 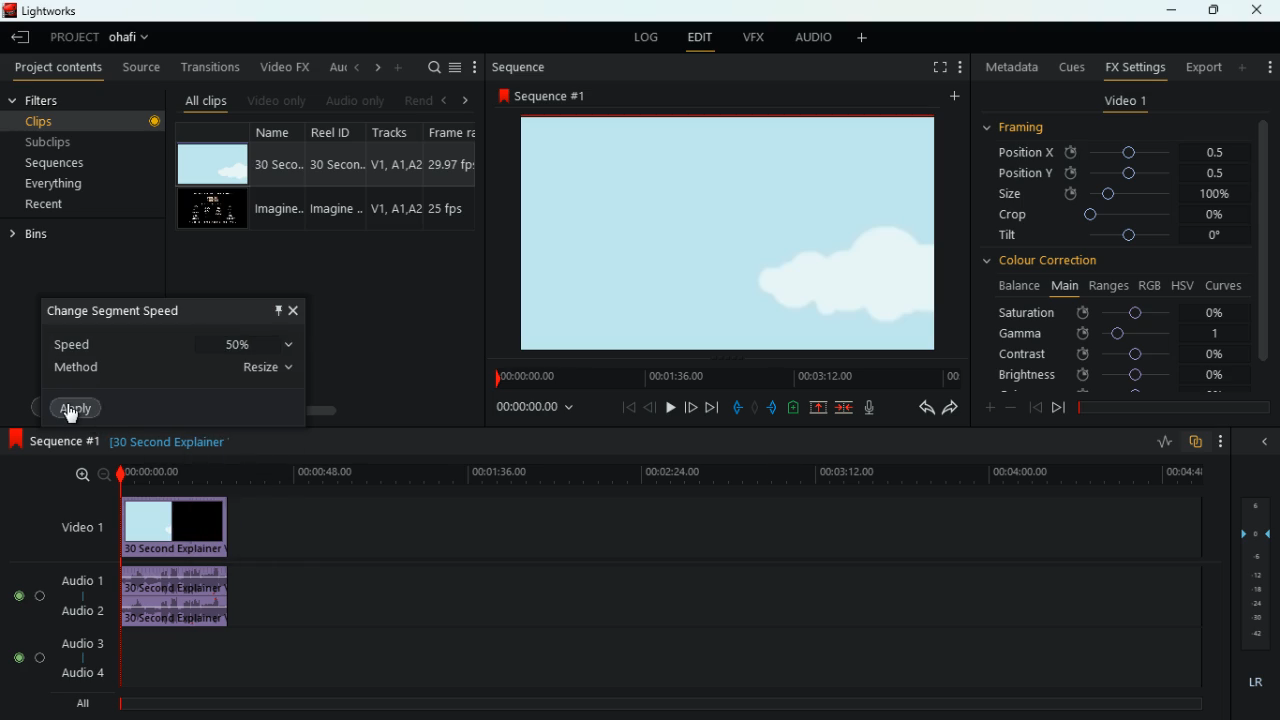 What do you see at coordinates (1113, 217) in the screenshot?
I see `crop` at bounding box center [1113, 217].